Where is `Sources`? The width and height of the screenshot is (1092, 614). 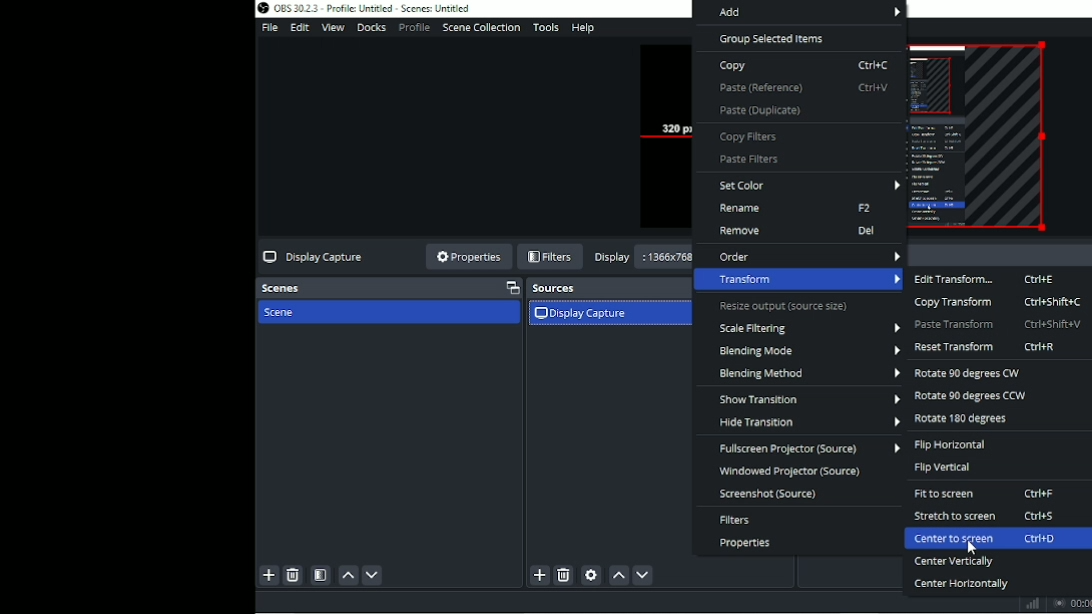
Sources is located at coordinates (604, 287).